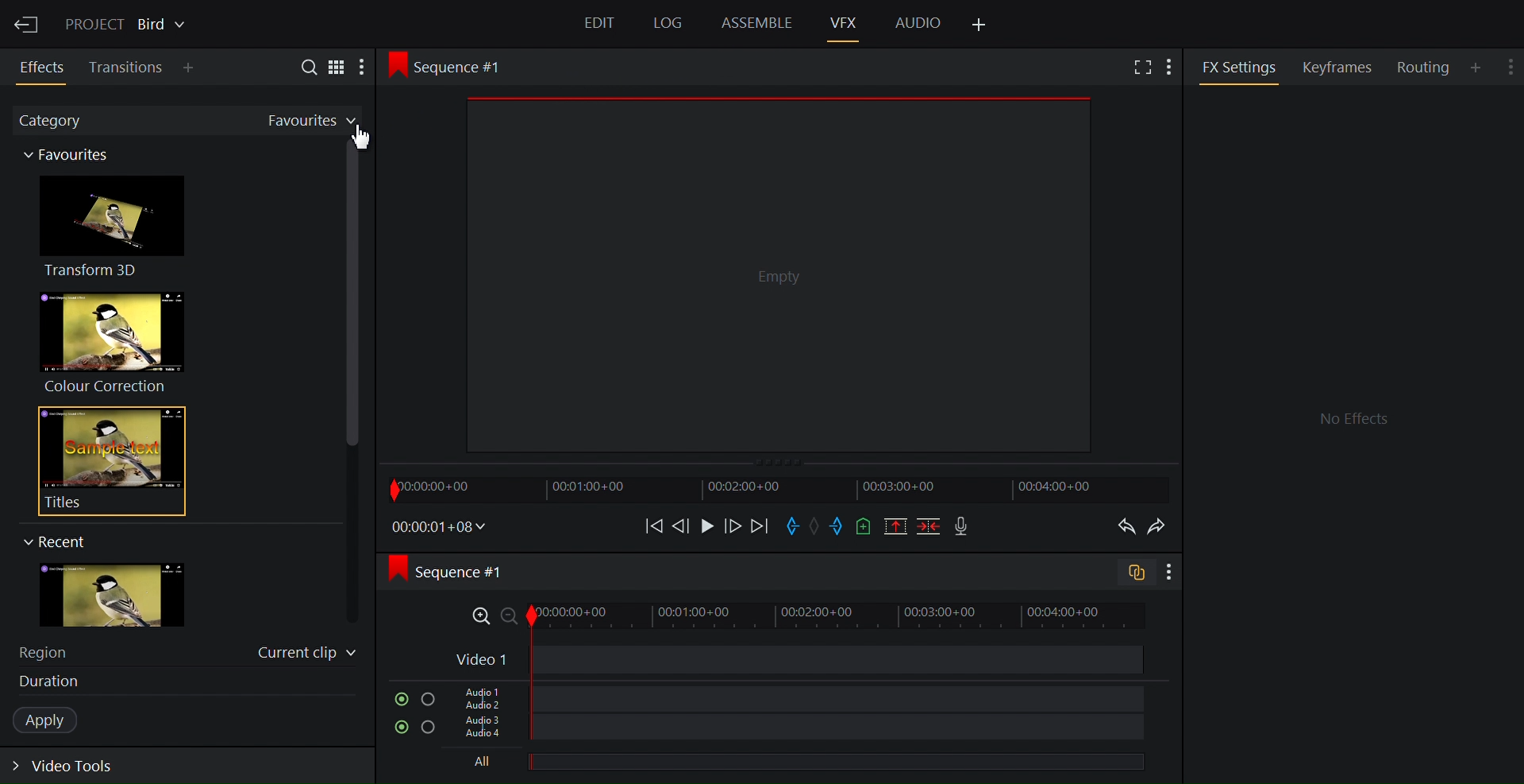 Image resolution: width=1524 pixels, height=784 pixels. What do you see at coordinates (1122, 527) in the screenshot?
I see `Undo` at bounding box center [1122, 527].